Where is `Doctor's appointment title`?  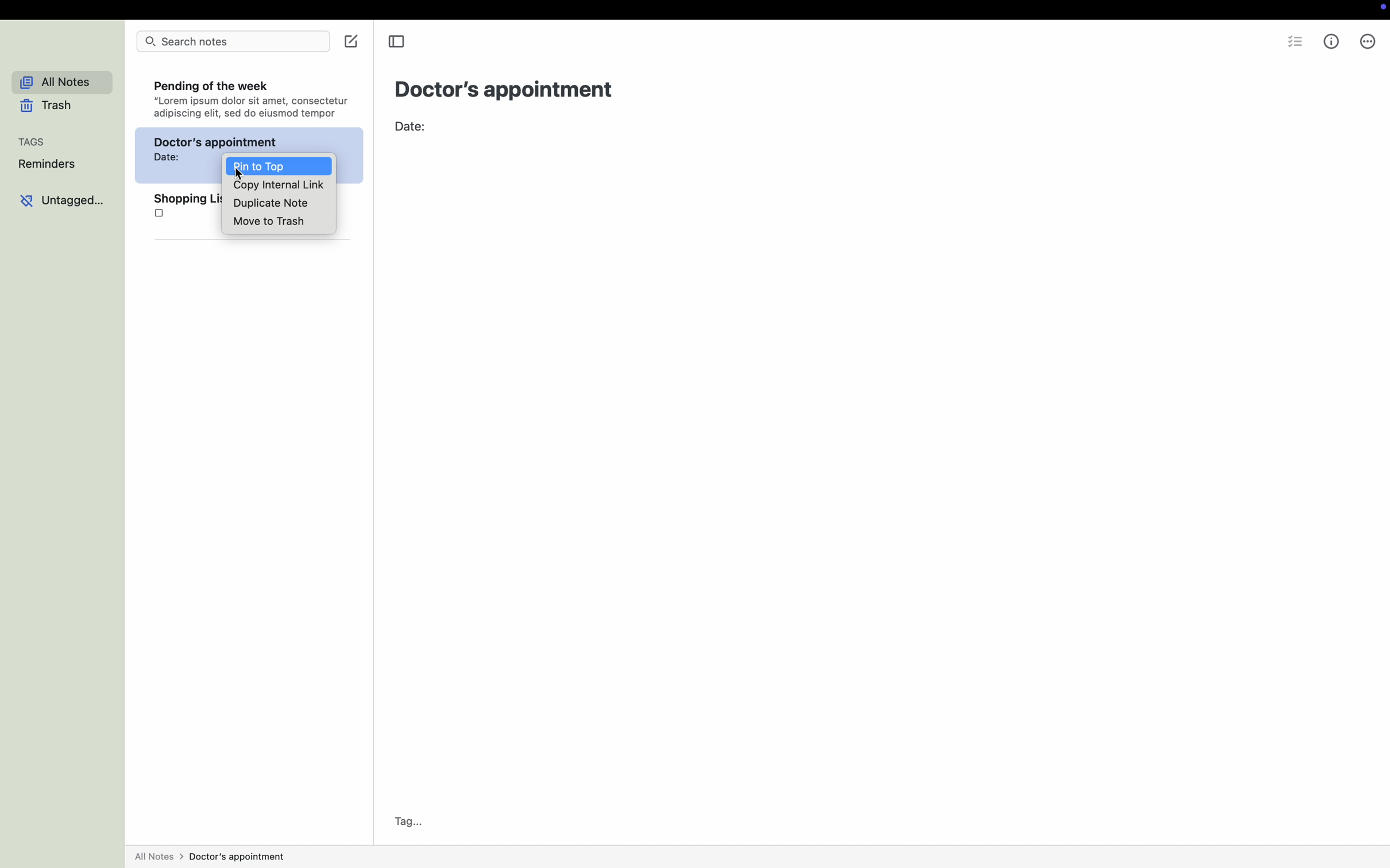
Doctor's appointment title is located at coordinates (507, 86).